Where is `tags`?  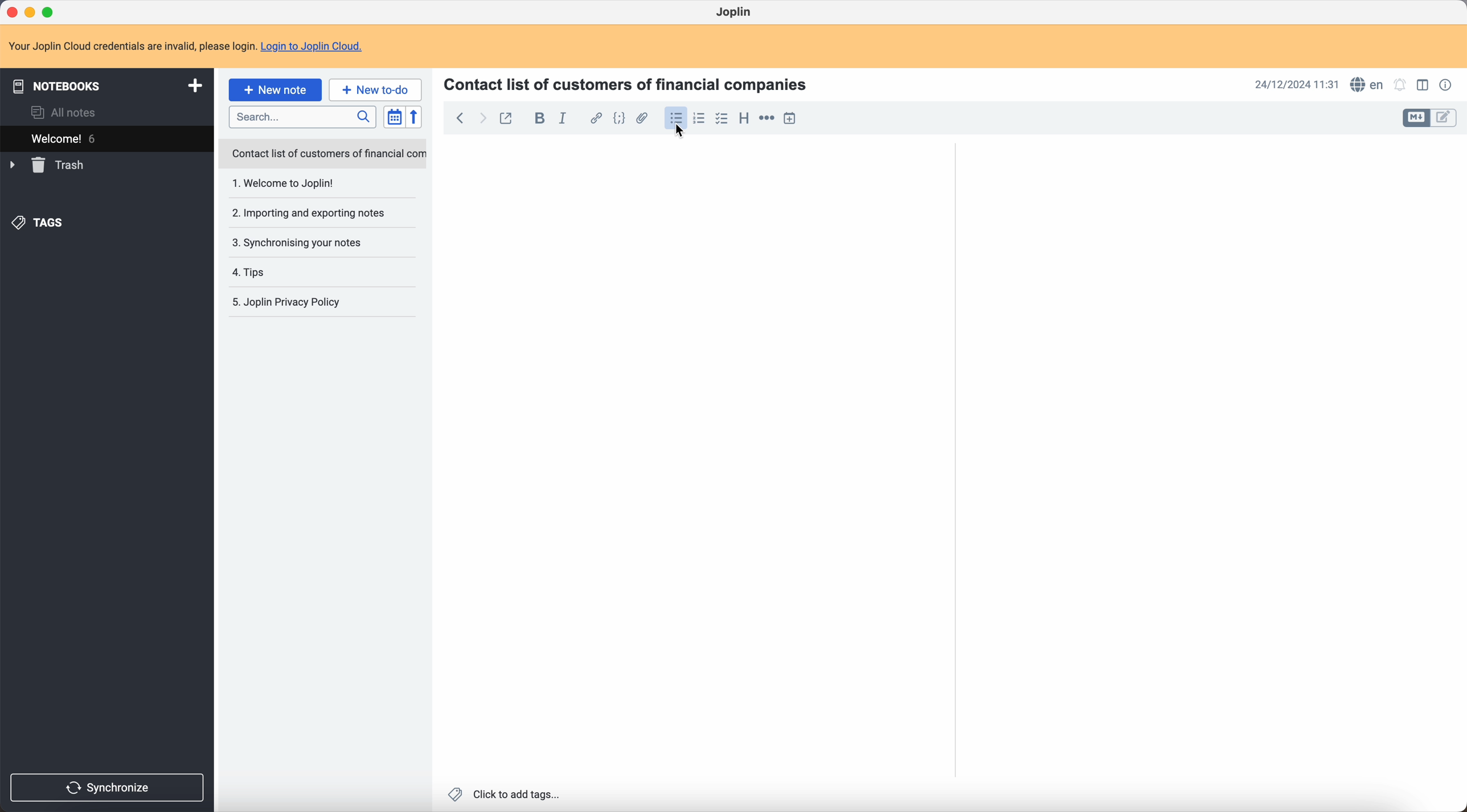
tags is located at coordinates (40, 223).